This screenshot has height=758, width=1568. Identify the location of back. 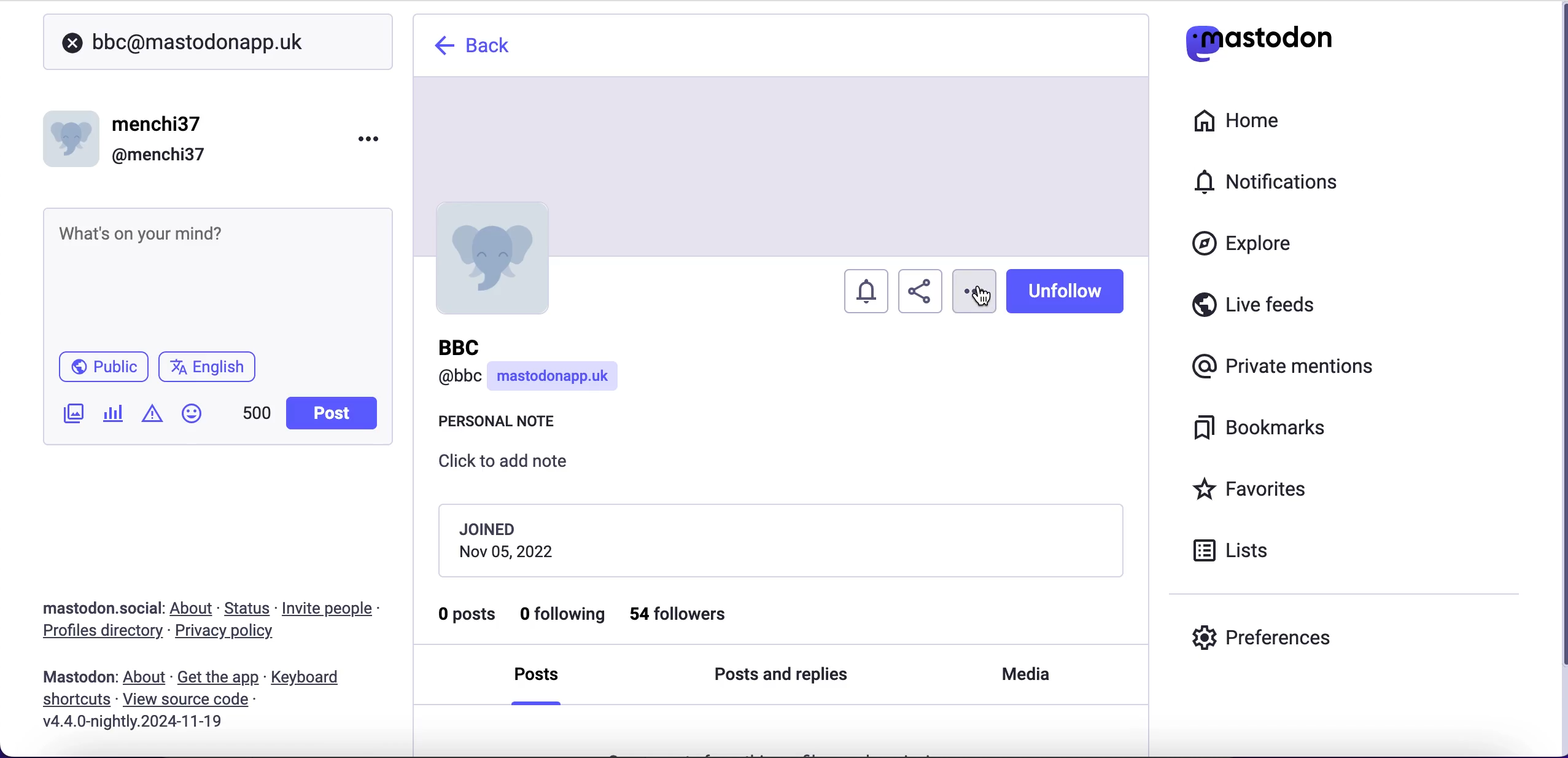
(475, 45).